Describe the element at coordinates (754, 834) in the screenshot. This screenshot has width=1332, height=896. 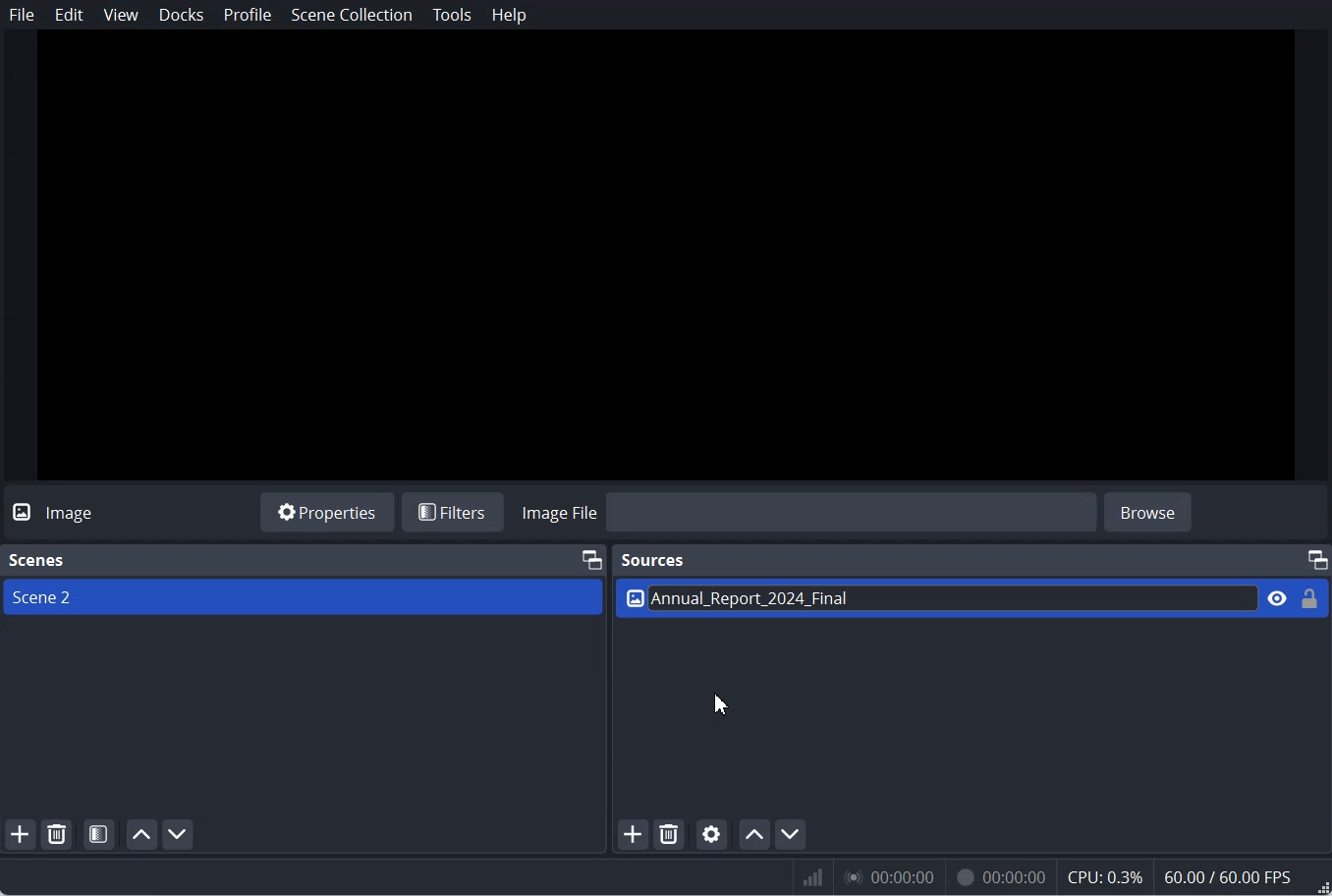
I see `Move source up` at that location.